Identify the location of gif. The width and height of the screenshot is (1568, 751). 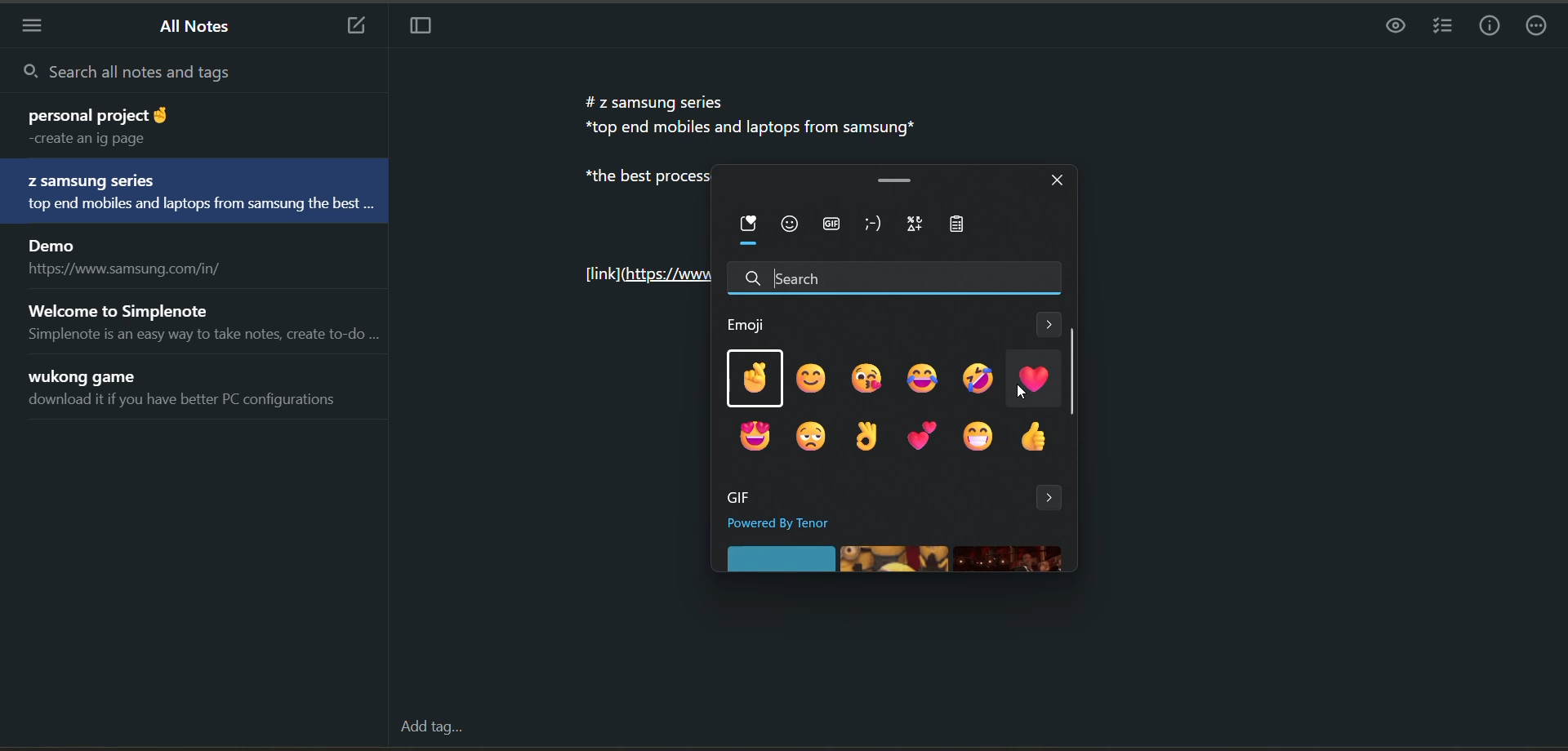
(735, 497).